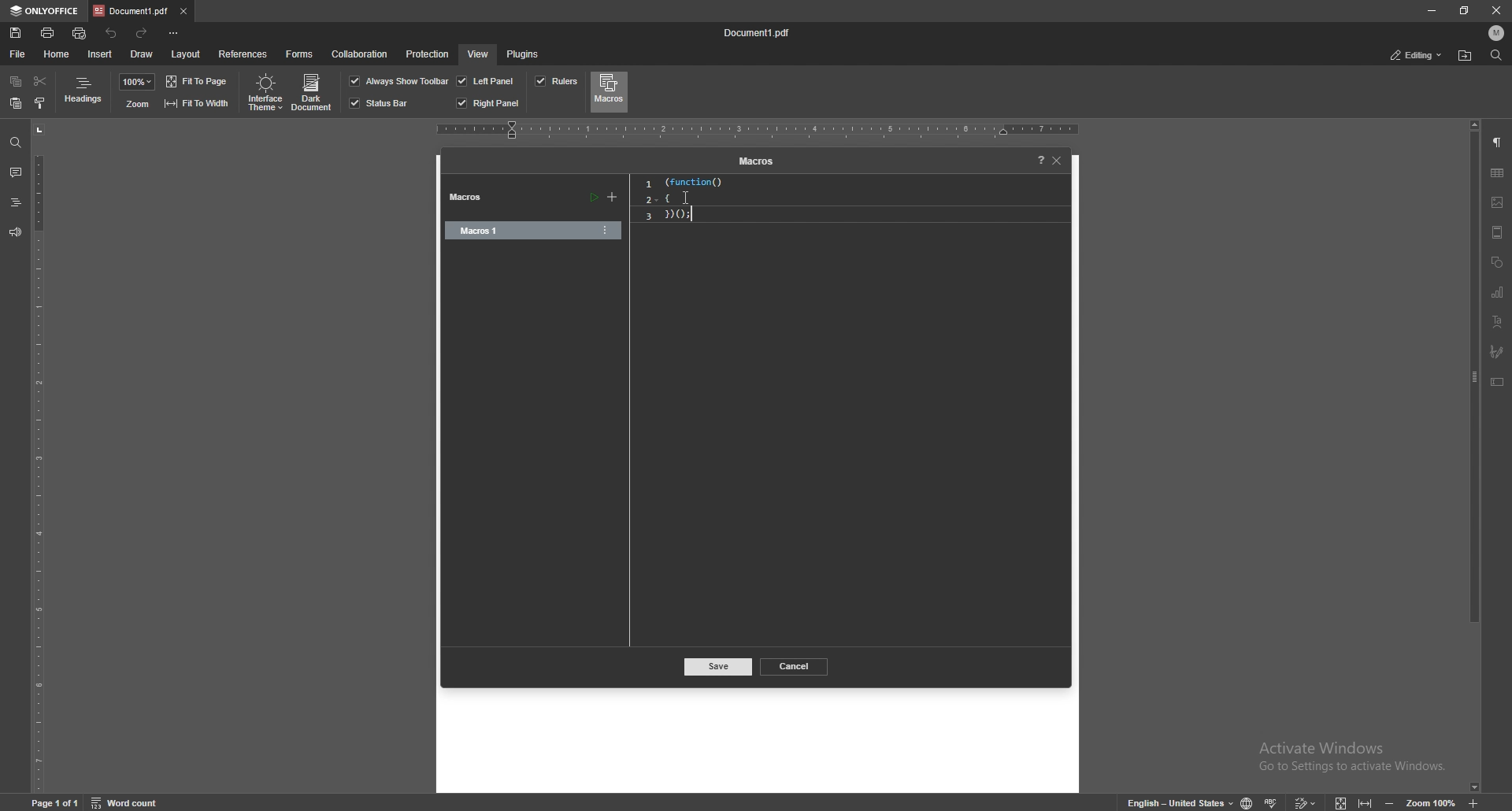  Describe the element at coordinates (39, 81) in the screenshot. I see `cut` at that location.